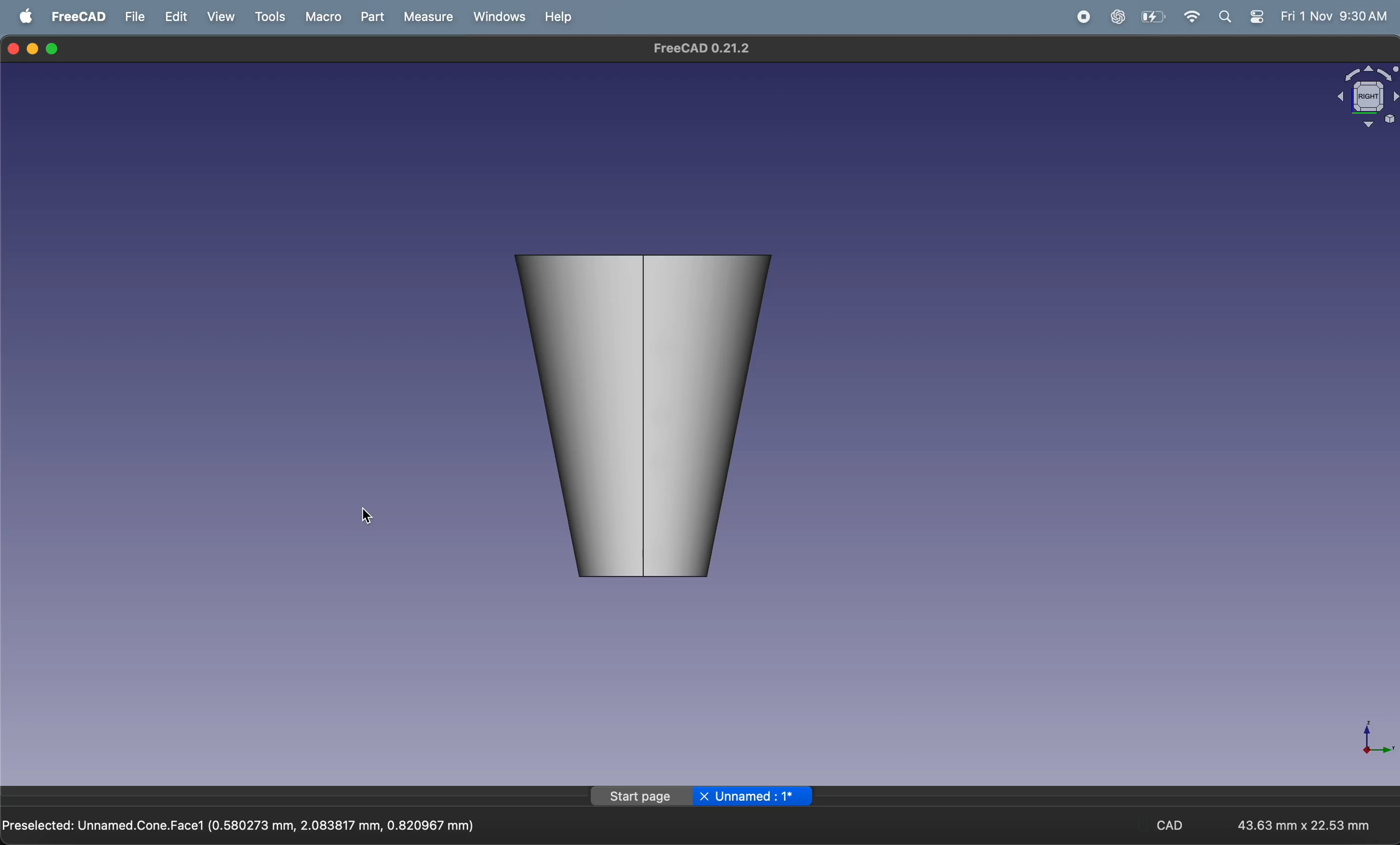 This screenshot has width=1400, height=845. What do you see at coordinates (1153, 16) in the screenshot?
I see `battery` at bounding box center [1153, 16].